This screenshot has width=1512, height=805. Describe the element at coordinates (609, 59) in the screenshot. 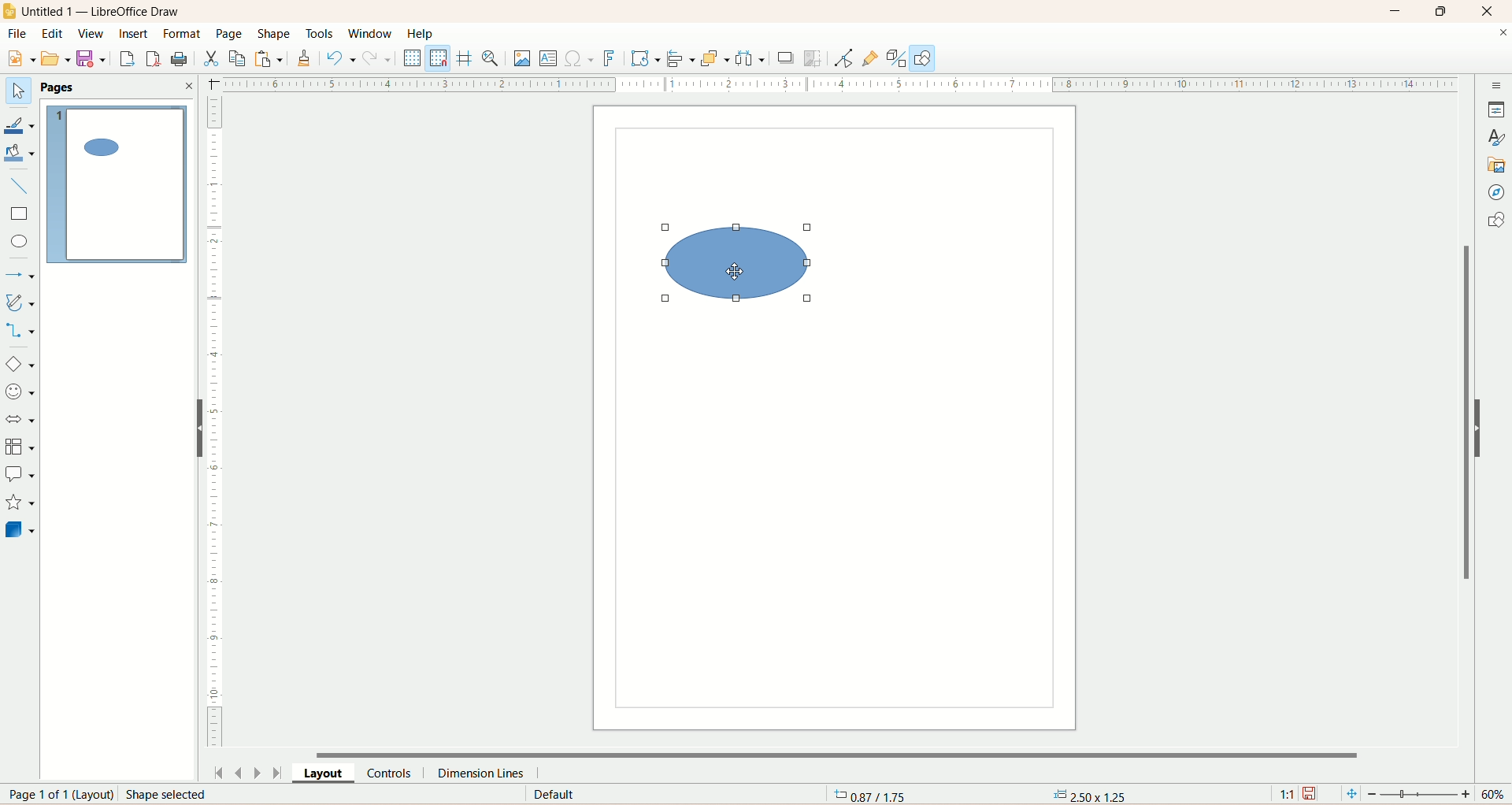

I see `fontwork text` at that location.